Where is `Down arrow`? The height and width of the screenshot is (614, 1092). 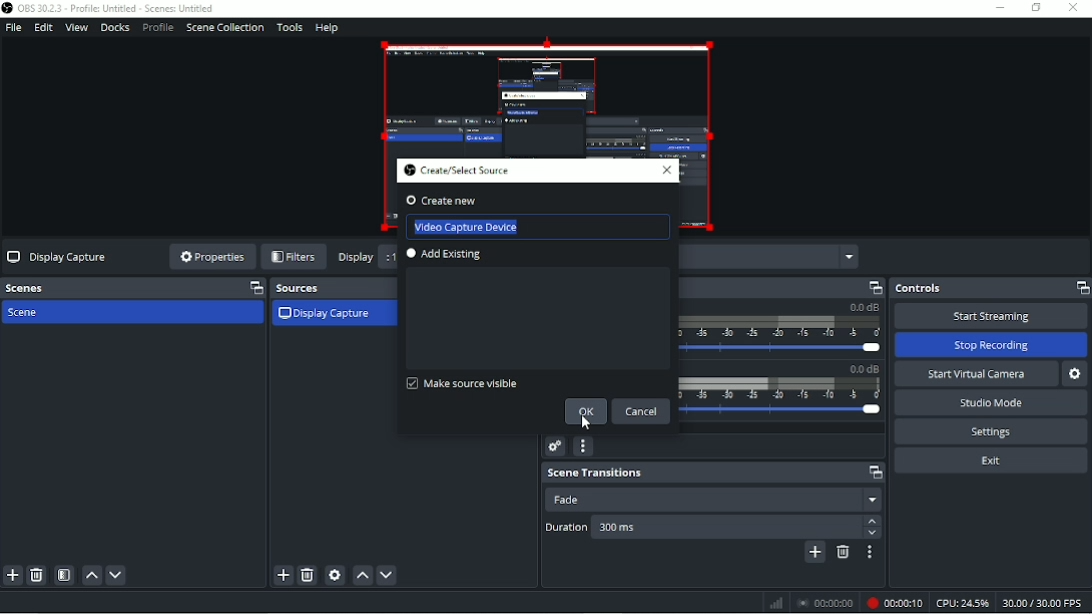
Down arrow is located at coordinates (873, 535).